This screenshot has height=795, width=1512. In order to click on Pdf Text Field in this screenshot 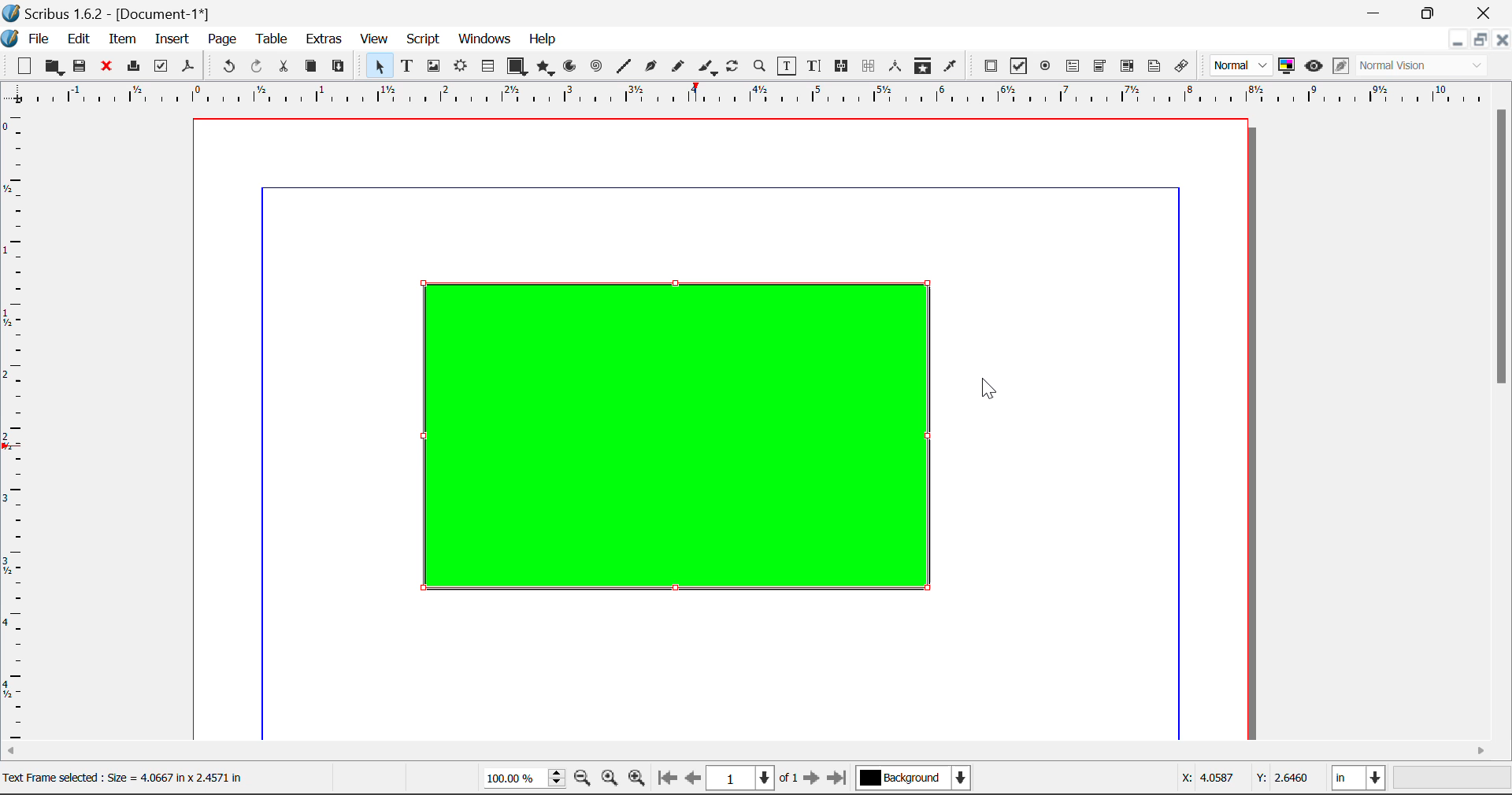, I will do `click(1073, 65)`.